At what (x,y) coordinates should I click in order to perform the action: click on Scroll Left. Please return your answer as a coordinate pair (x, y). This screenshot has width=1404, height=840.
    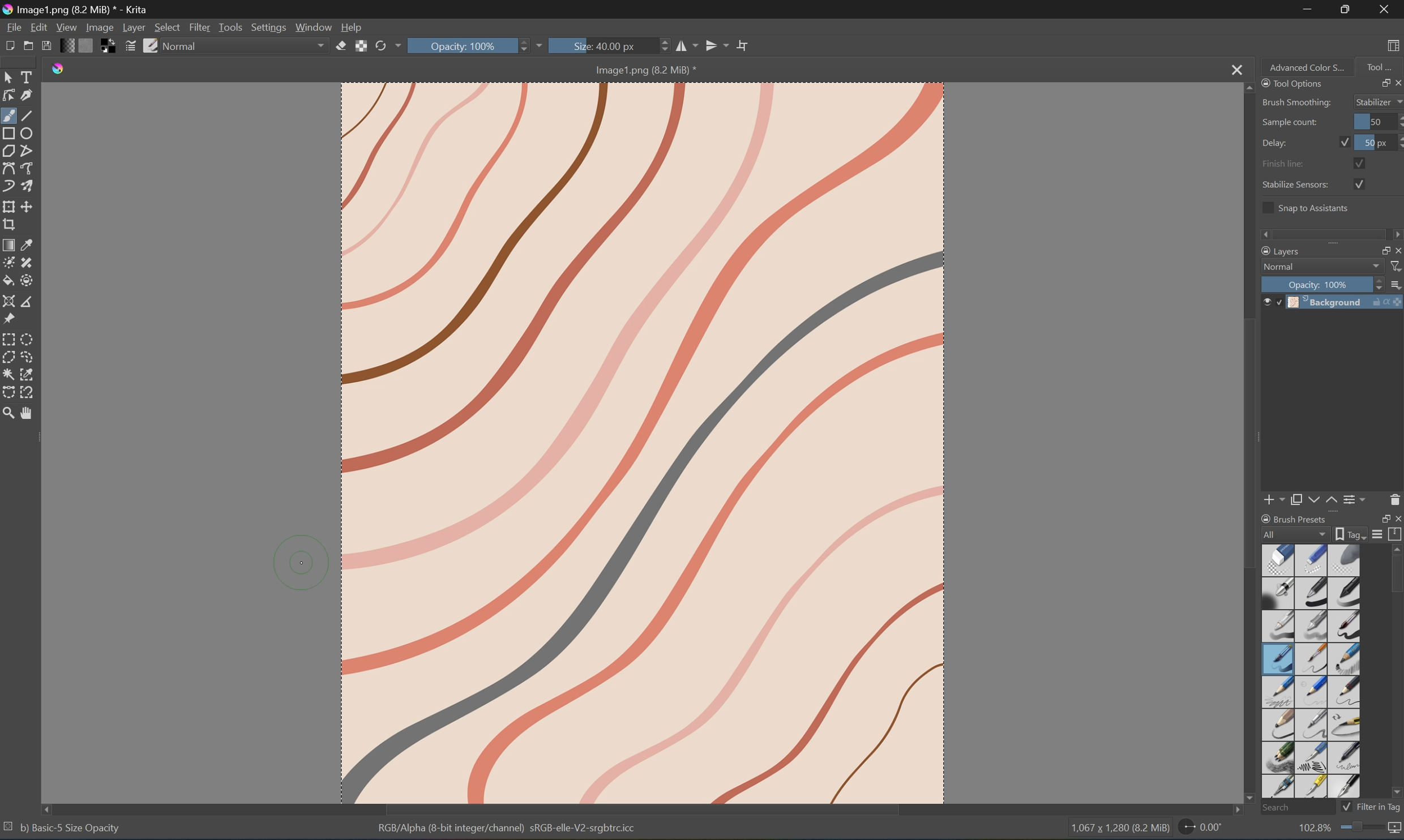
    Looking at the image, I should click on (48, 808).